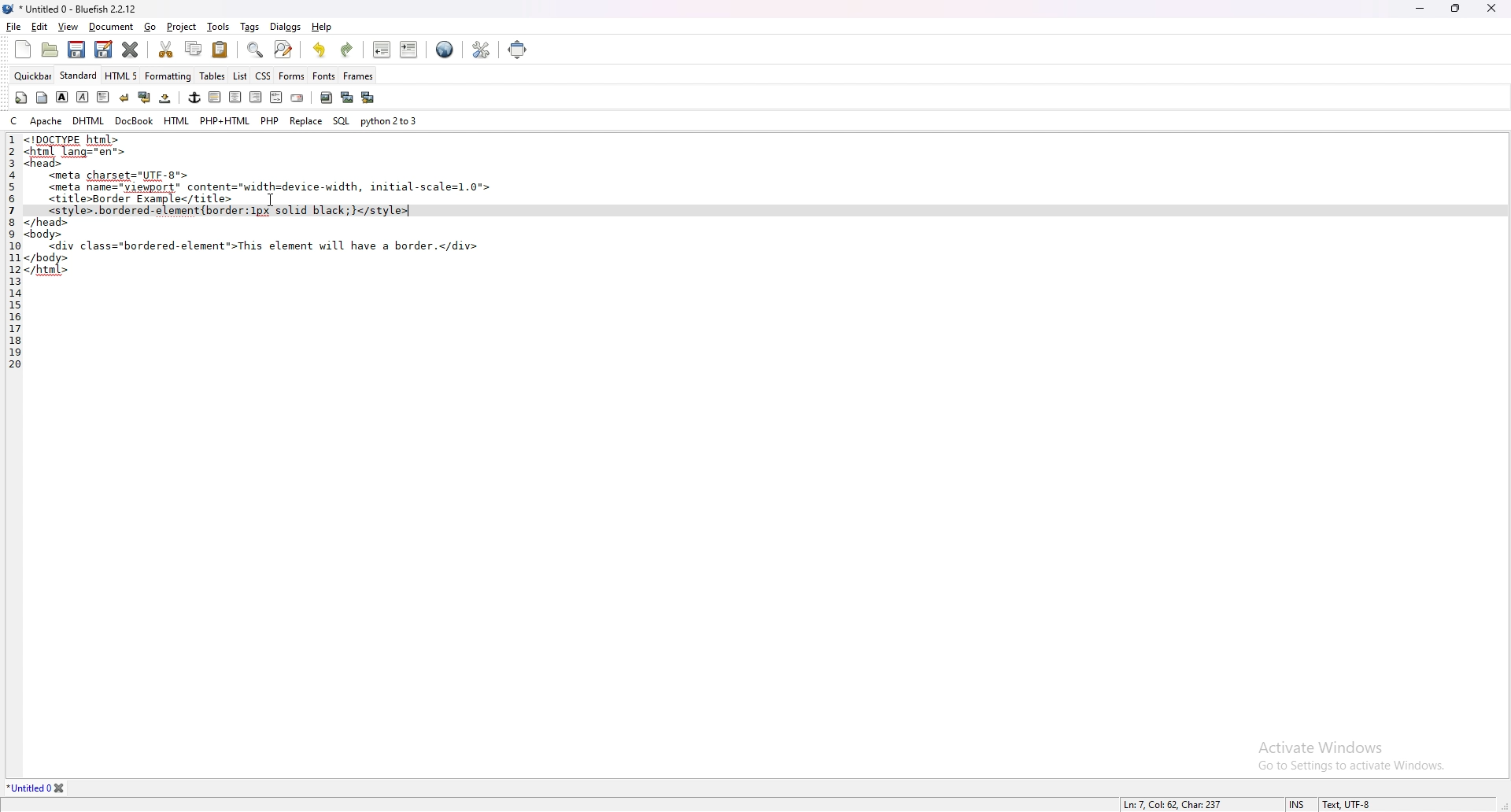  I want to click on standard, so click(79, 75).